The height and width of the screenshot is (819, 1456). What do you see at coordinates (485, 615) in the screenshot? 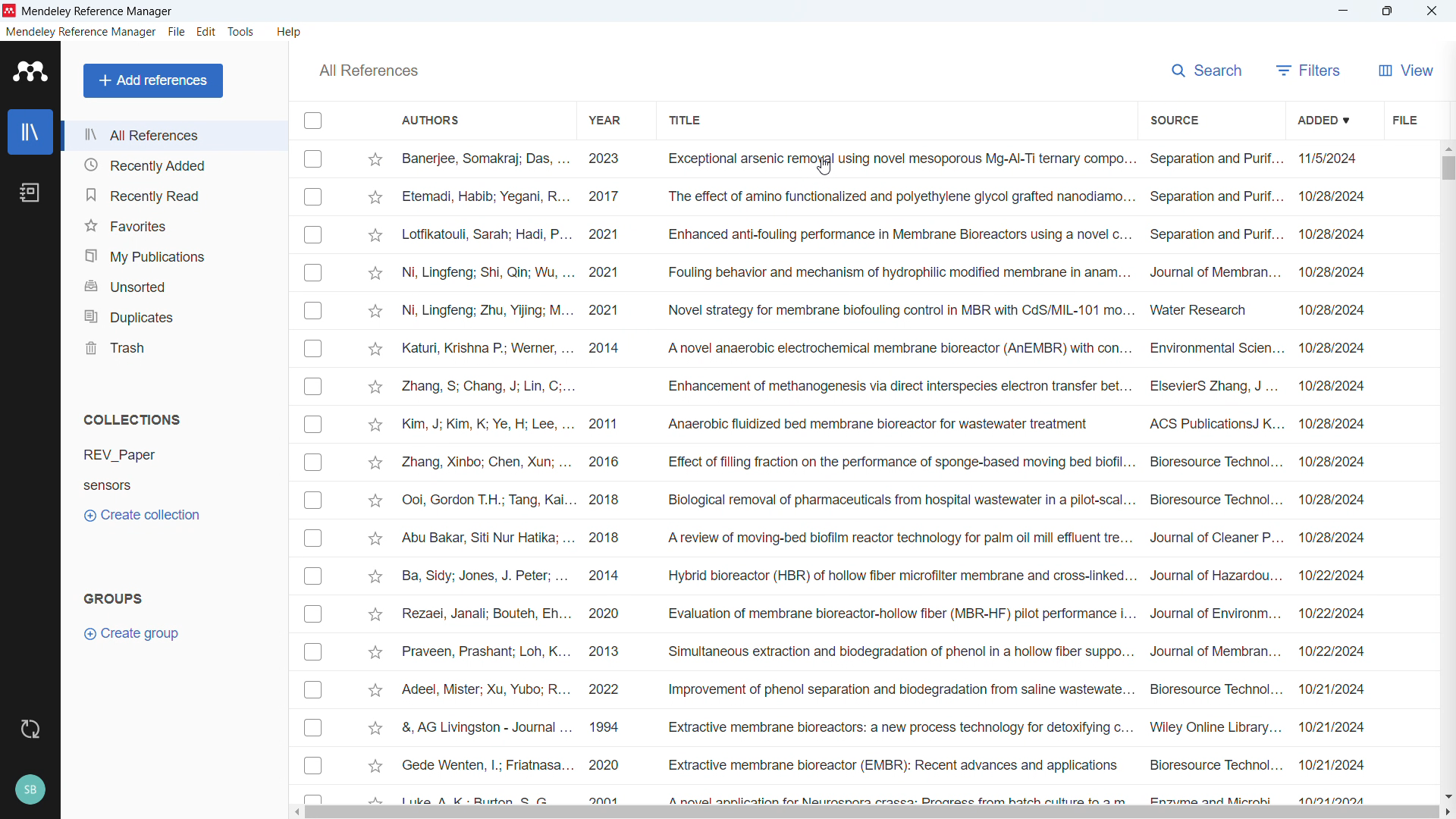
I see `rezaei,janall,boutch,eh` at bounding box center [485, 615].